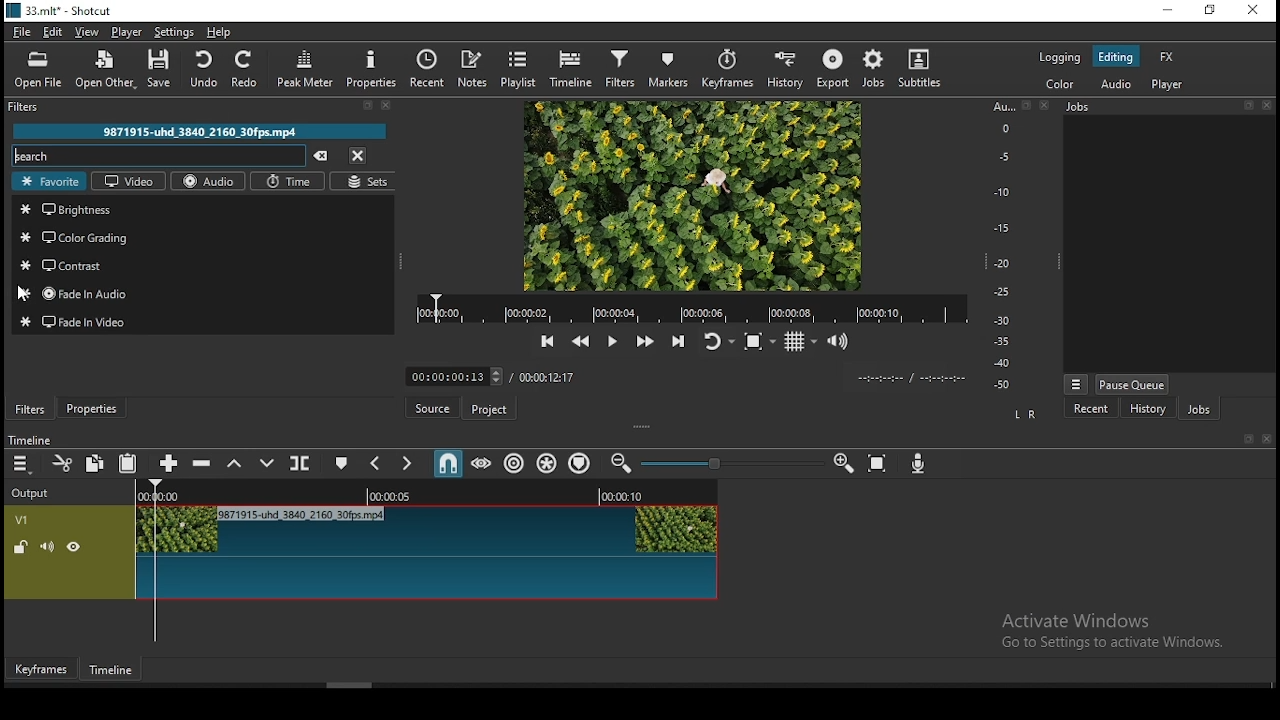 The image size is (1280, 720). What do you see at coordinates (789, 69) in the screenshot?
I see `history` at bounding box center [789, 69].